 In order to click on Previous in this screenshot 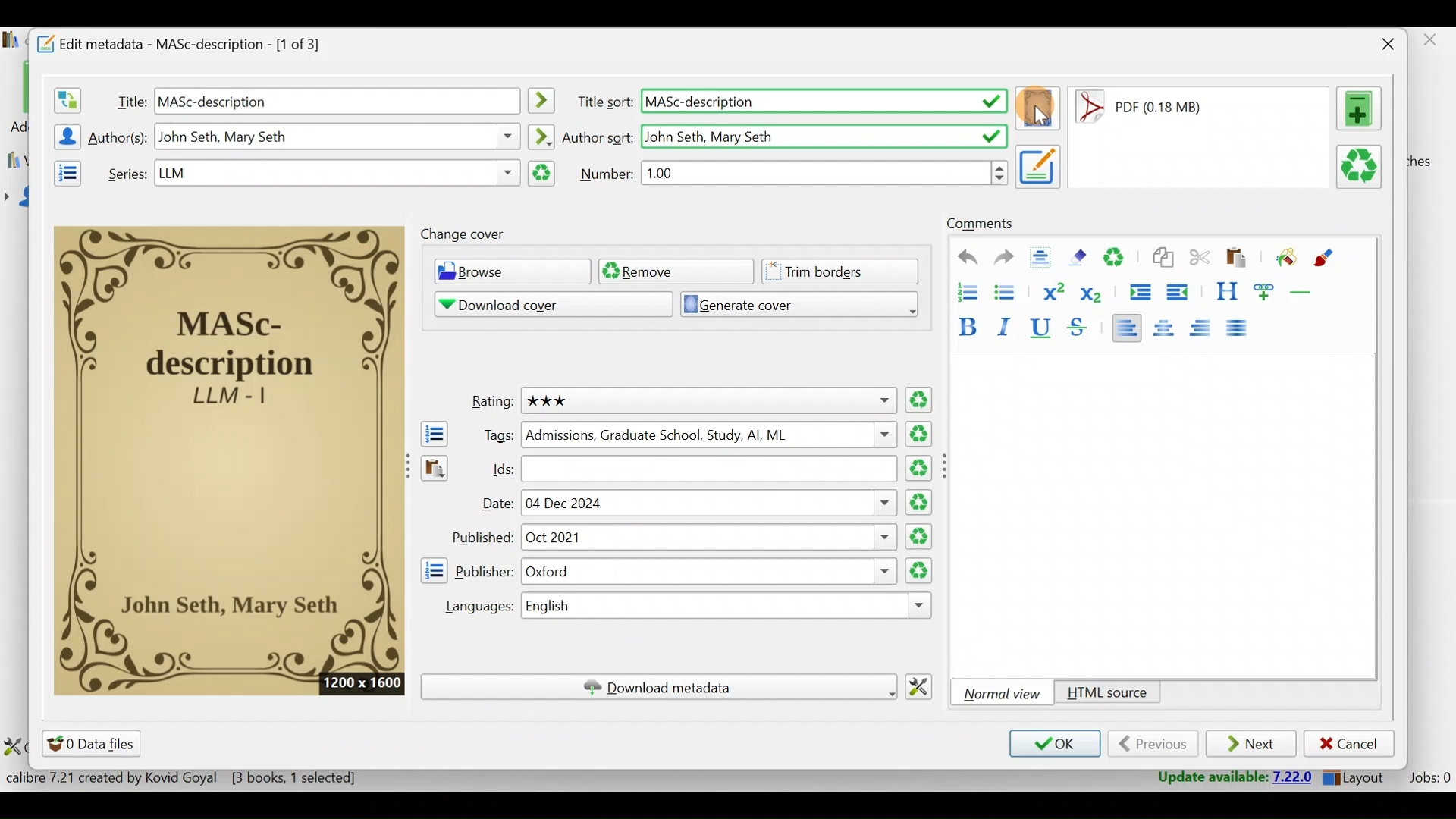, I will do `click(1153, 744)`.